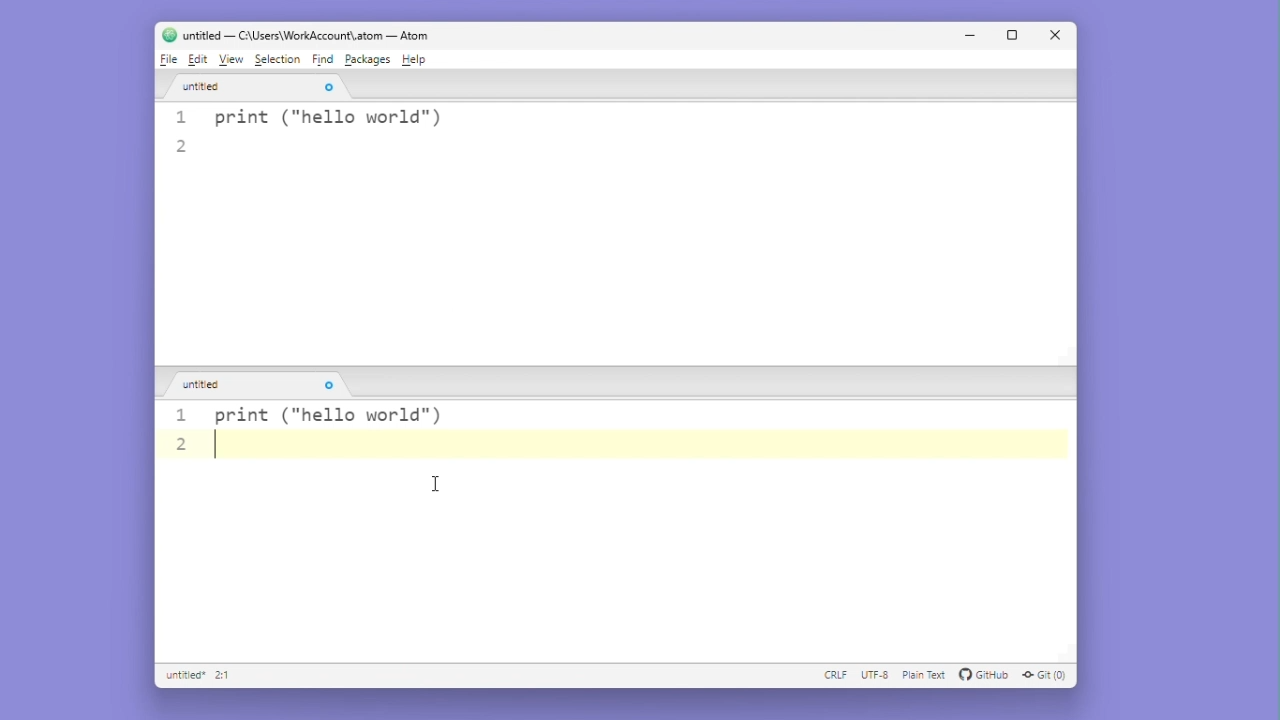 This screenshot has width=1280, height=720. Describe the element at coordinates (1053, 35) in the screenshot. I see `Close` at that location.